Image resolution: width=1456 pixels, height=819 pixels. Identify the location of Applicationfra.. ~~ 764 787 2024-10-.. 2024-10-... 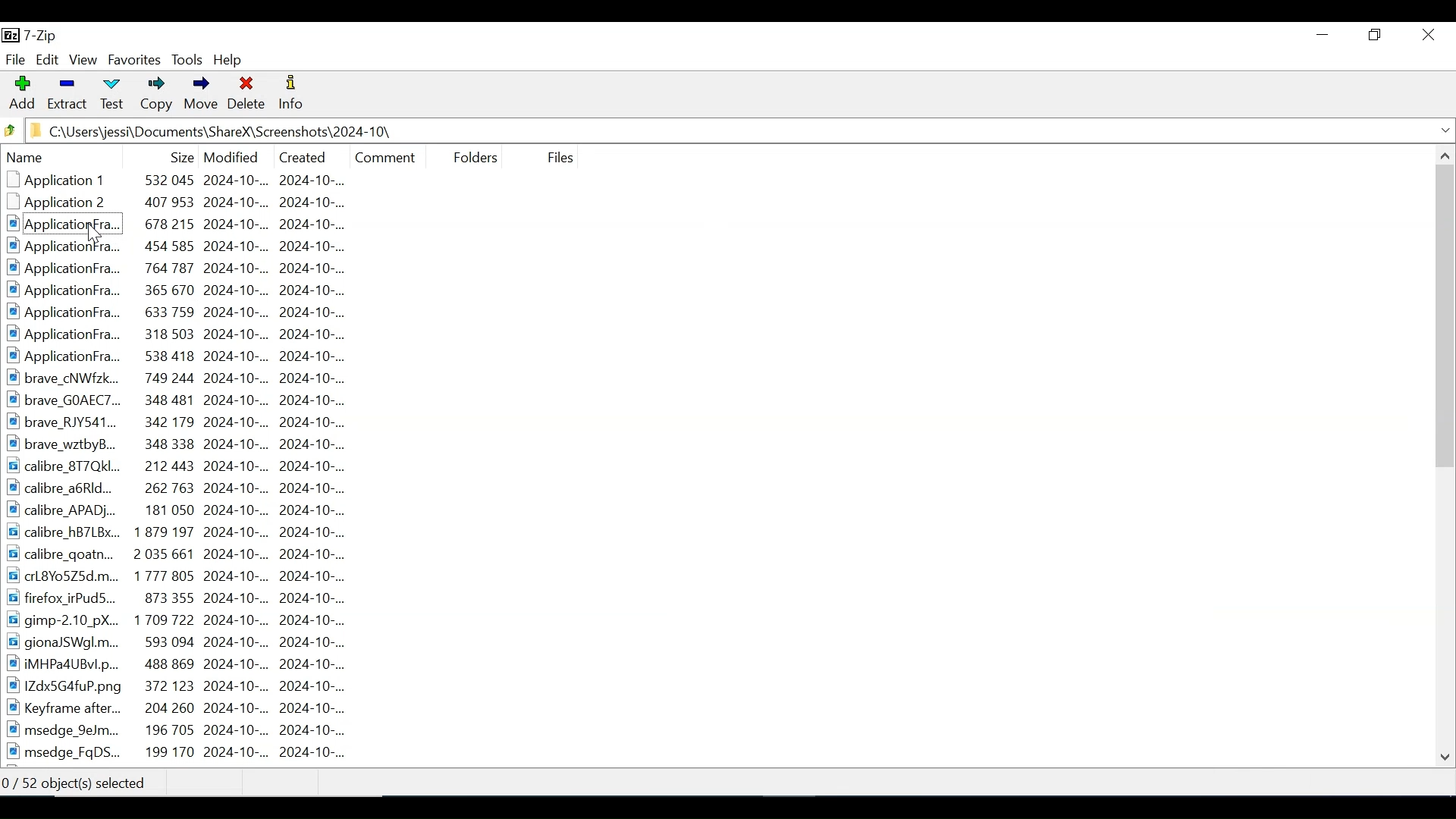
(183, 268).